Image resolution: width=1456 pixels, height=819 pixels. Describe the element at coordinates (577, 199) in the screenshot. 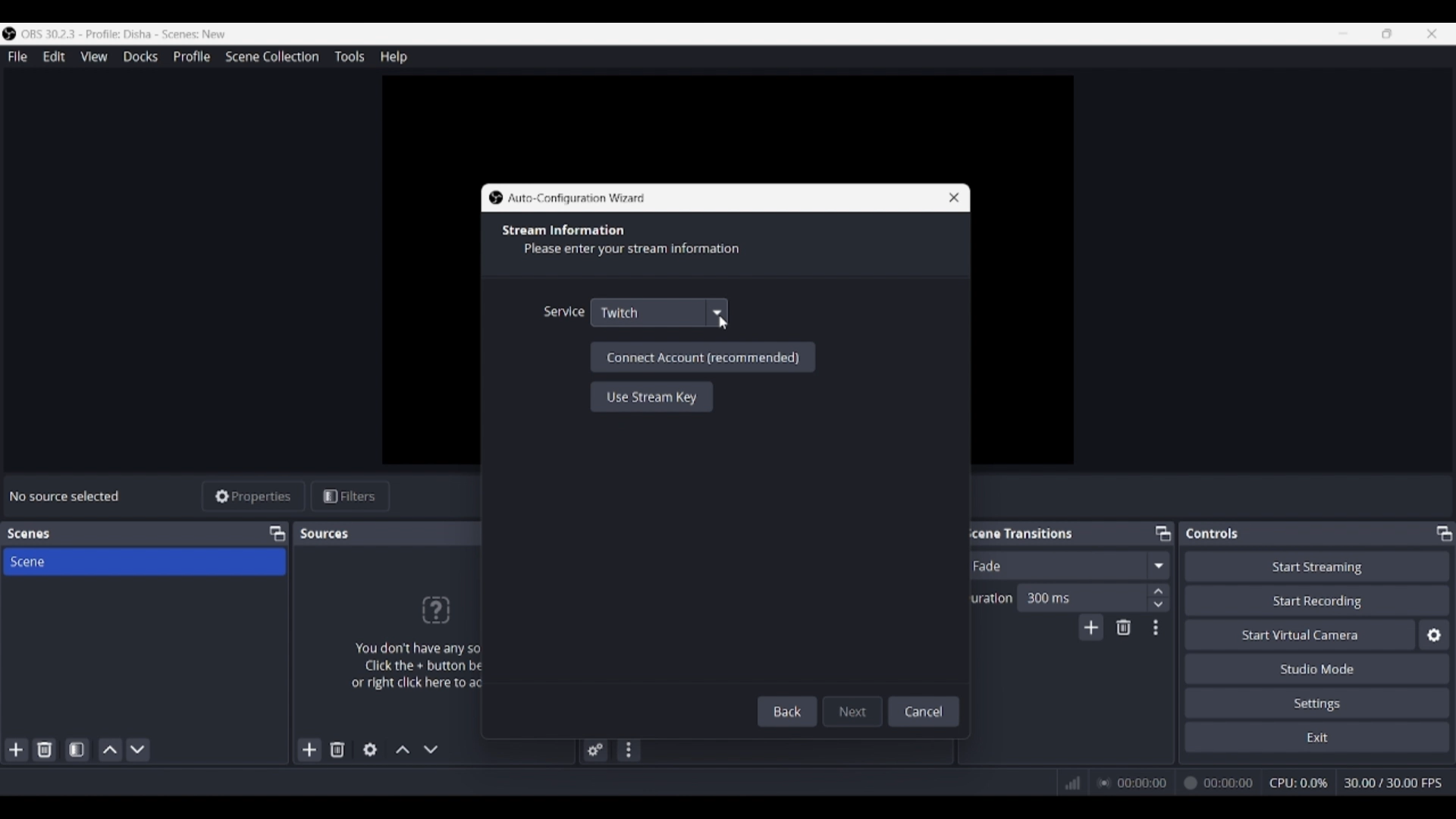

I see `Window title` at that location.